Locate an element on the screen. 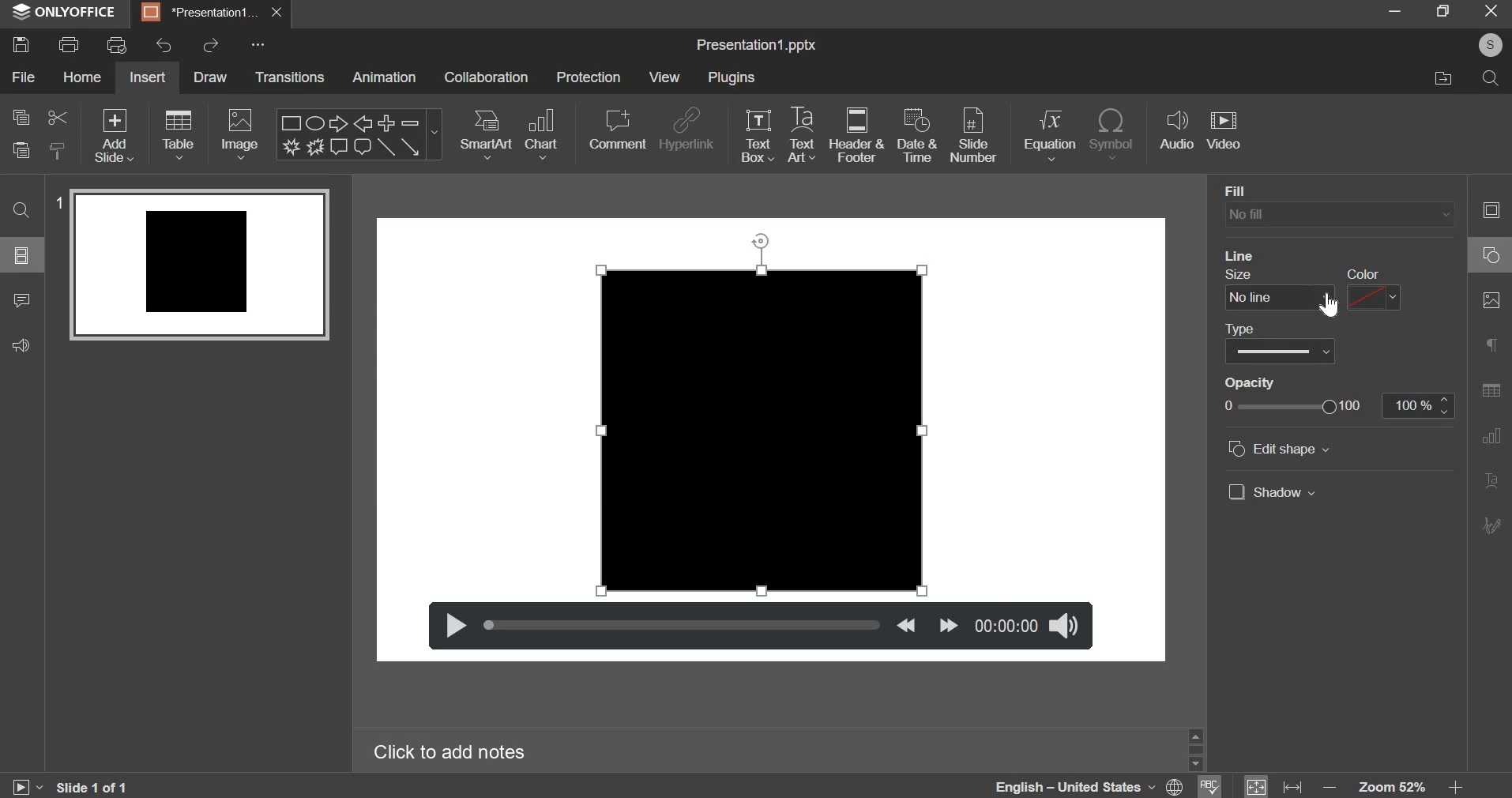  copy is located at coordinates (22, 116).